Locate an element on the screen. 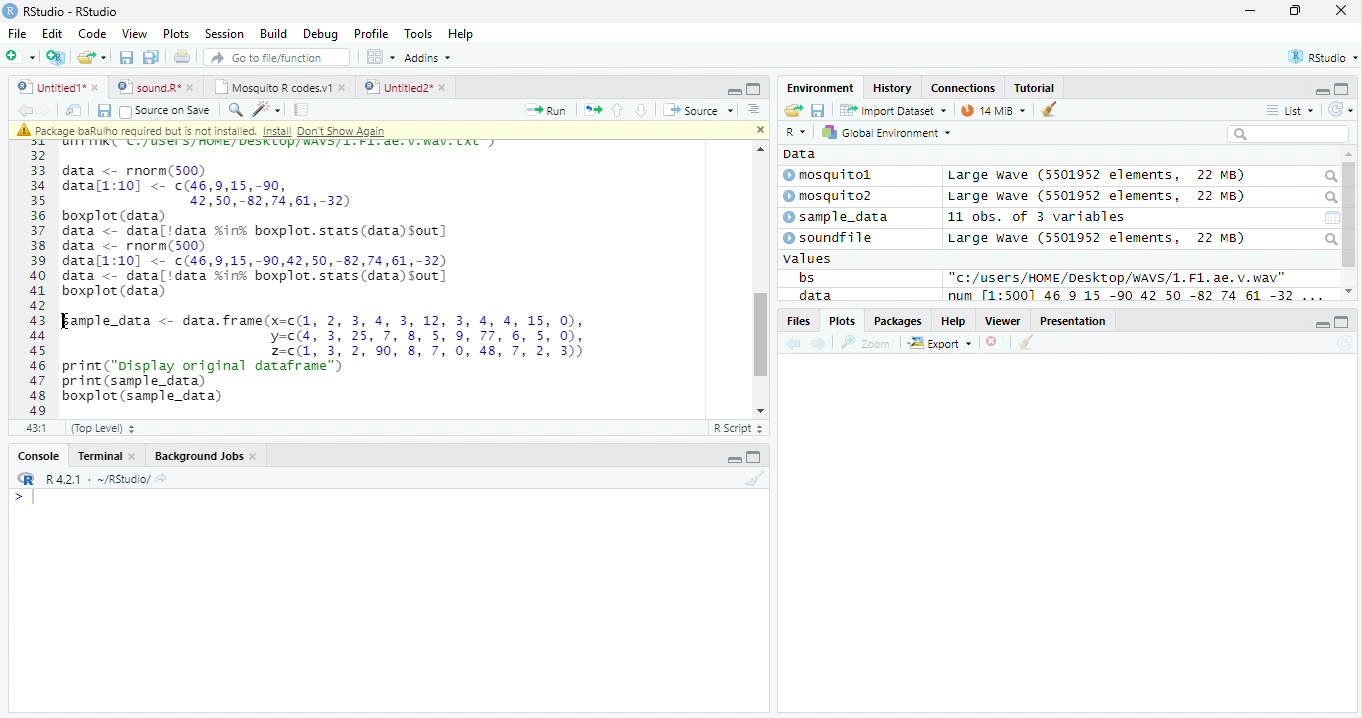 This screenshot has height=718, width=1362. Import Dataset is located at coordinates (893, 111).